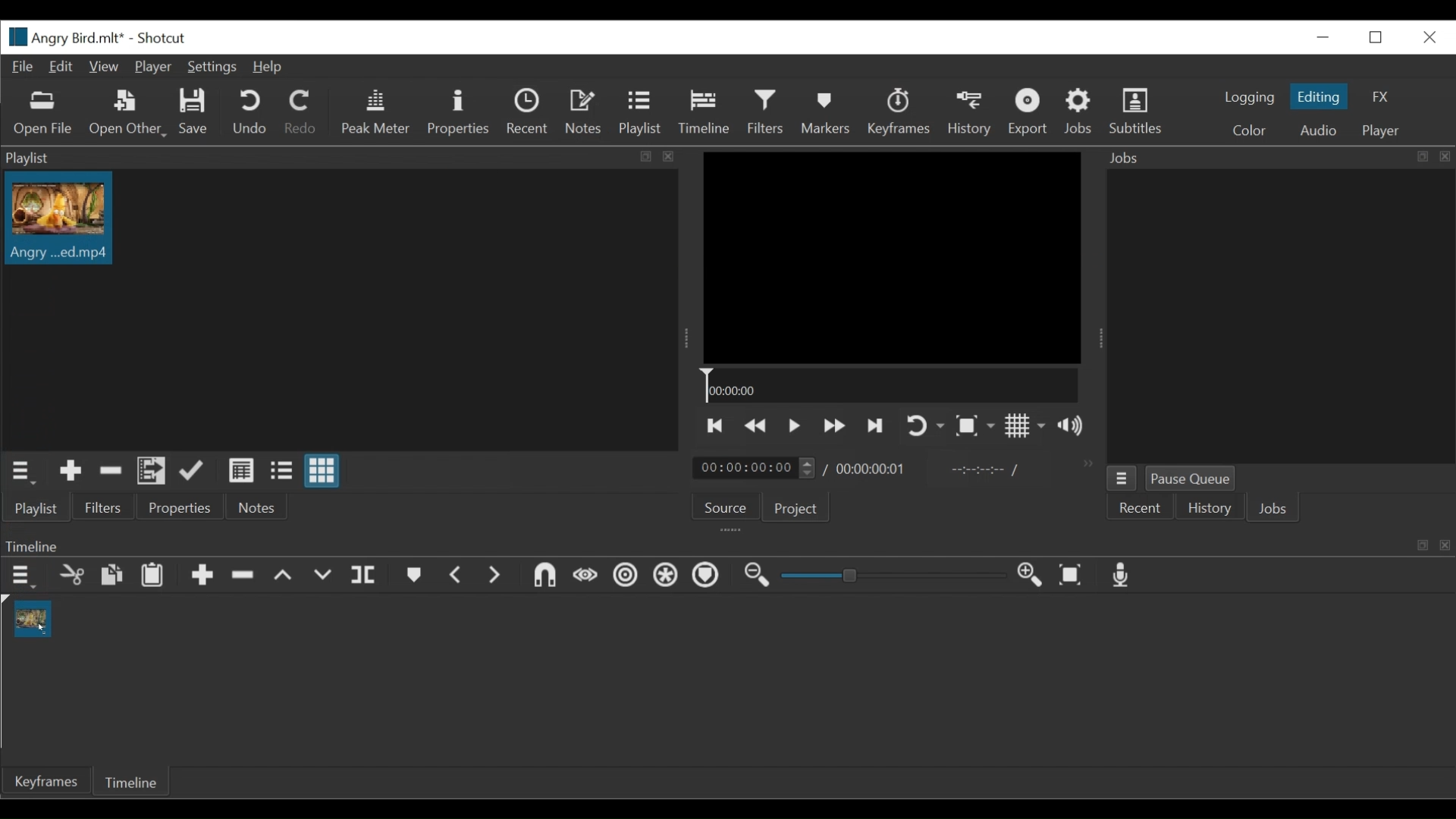  Describe the element at coordinates (1139, 508) in the screenshot. I see `Recent` at that location.